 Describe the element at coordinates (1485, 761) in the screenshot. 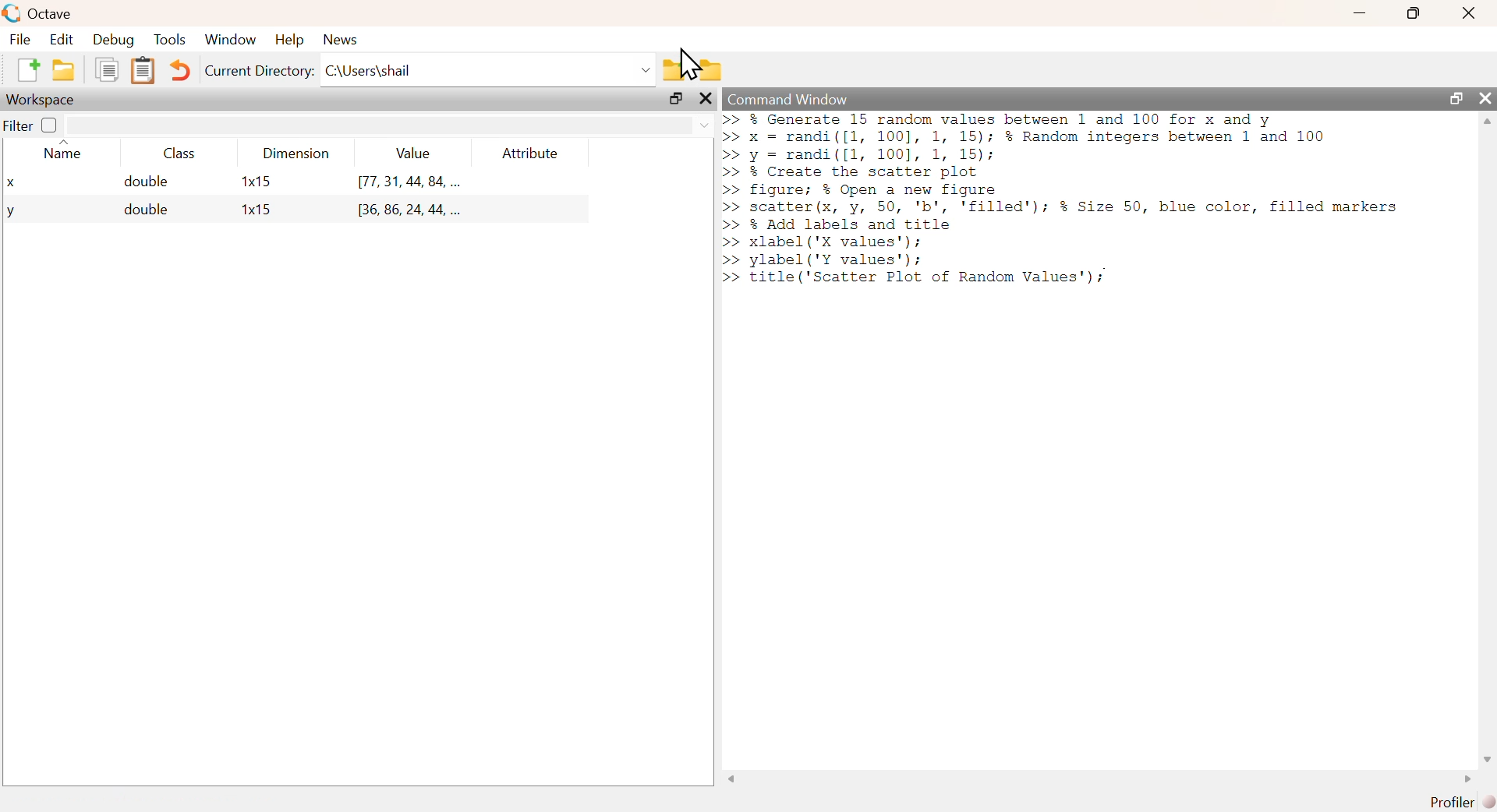

I see `scroll down` at that location.